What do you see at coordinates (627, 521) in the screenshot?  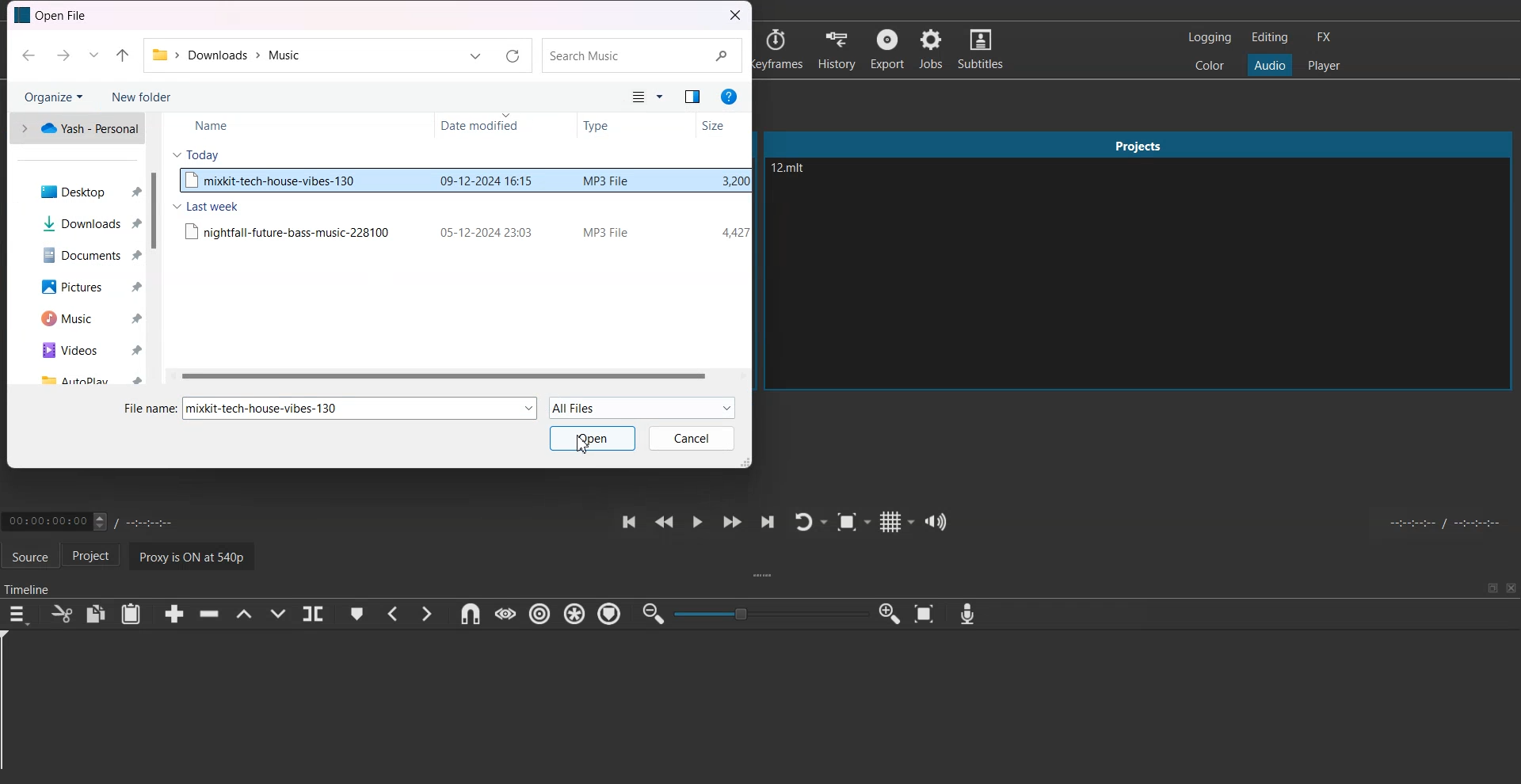 I see `Skip to the previous point` at bounding box center [627, 521].